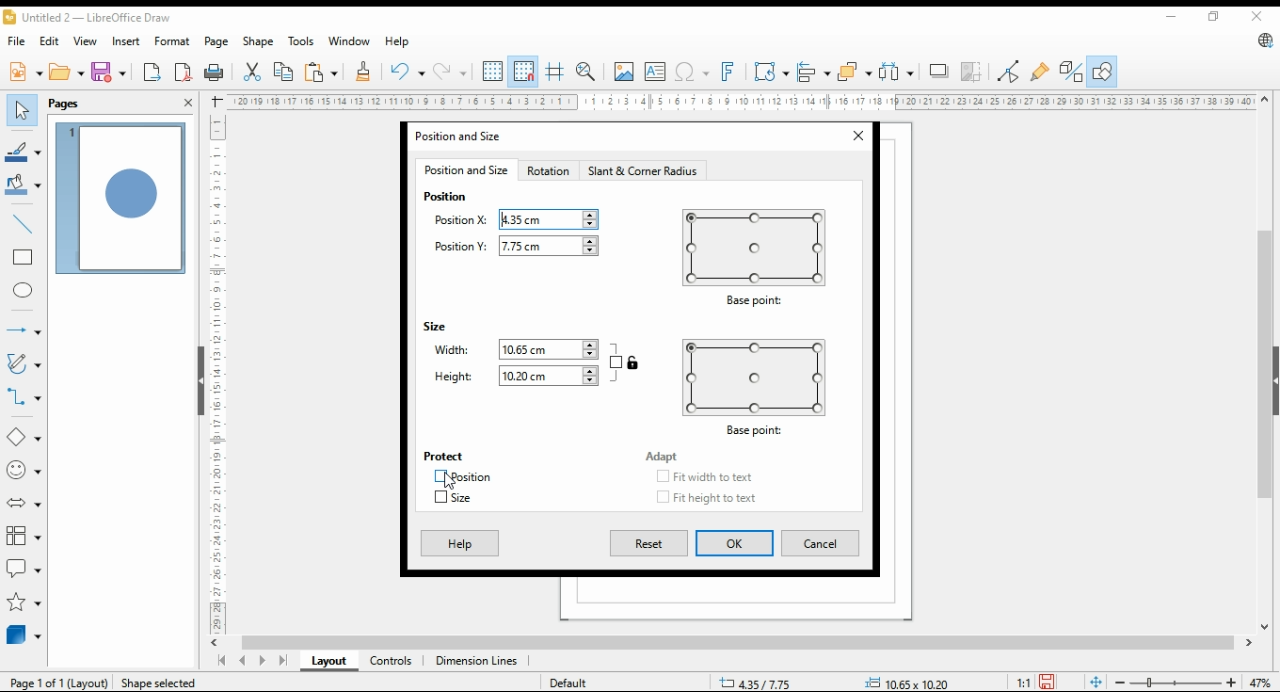 This screenshot has width=1280, height=692. I want to click on 9.98/12.79, so click(759, 684).